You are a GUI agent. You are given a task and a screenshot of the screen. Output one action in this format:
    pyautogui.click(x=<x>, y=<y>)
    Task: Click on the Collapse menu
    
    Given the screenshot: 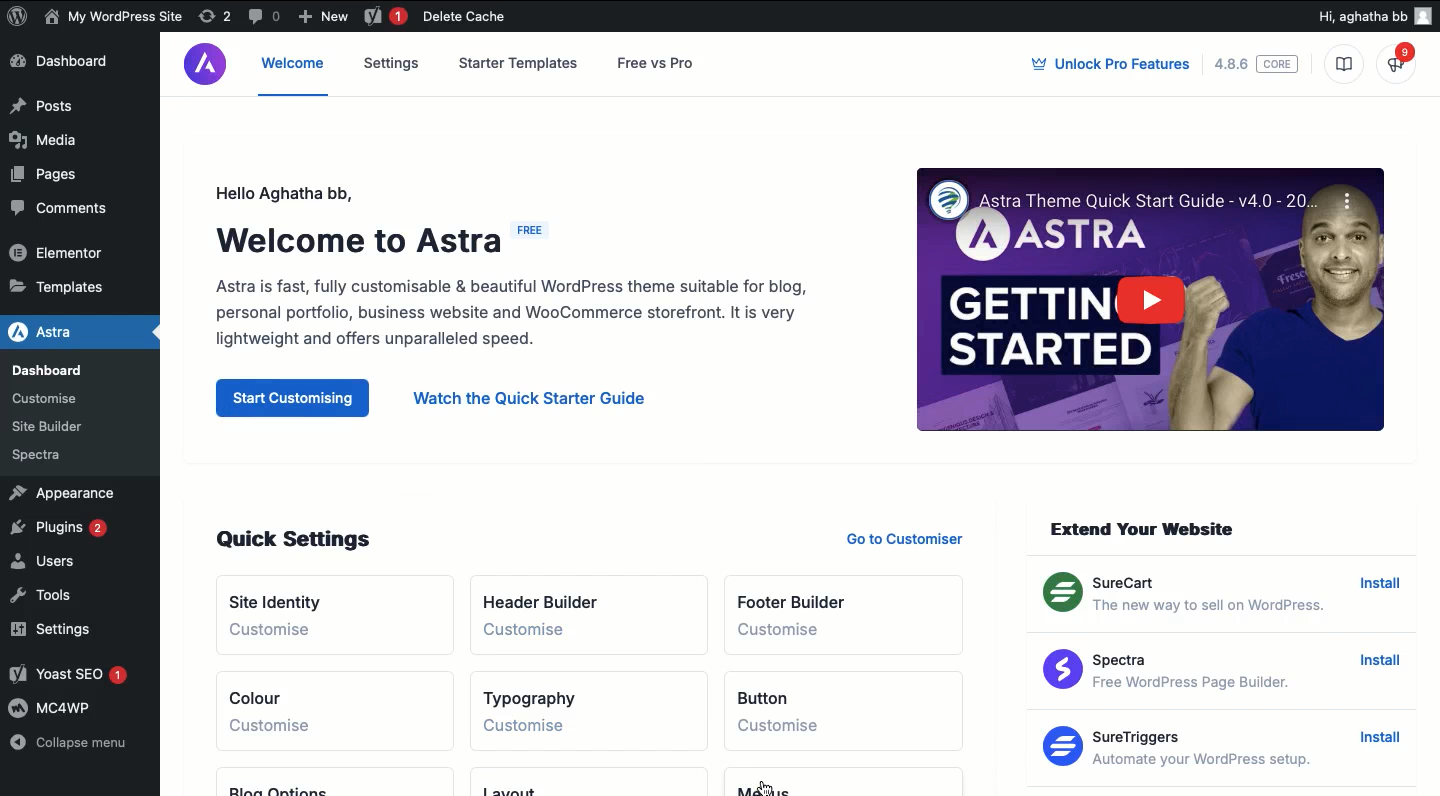 What is the action you would take?
    pyautogui.click(x=79, y=744)
    